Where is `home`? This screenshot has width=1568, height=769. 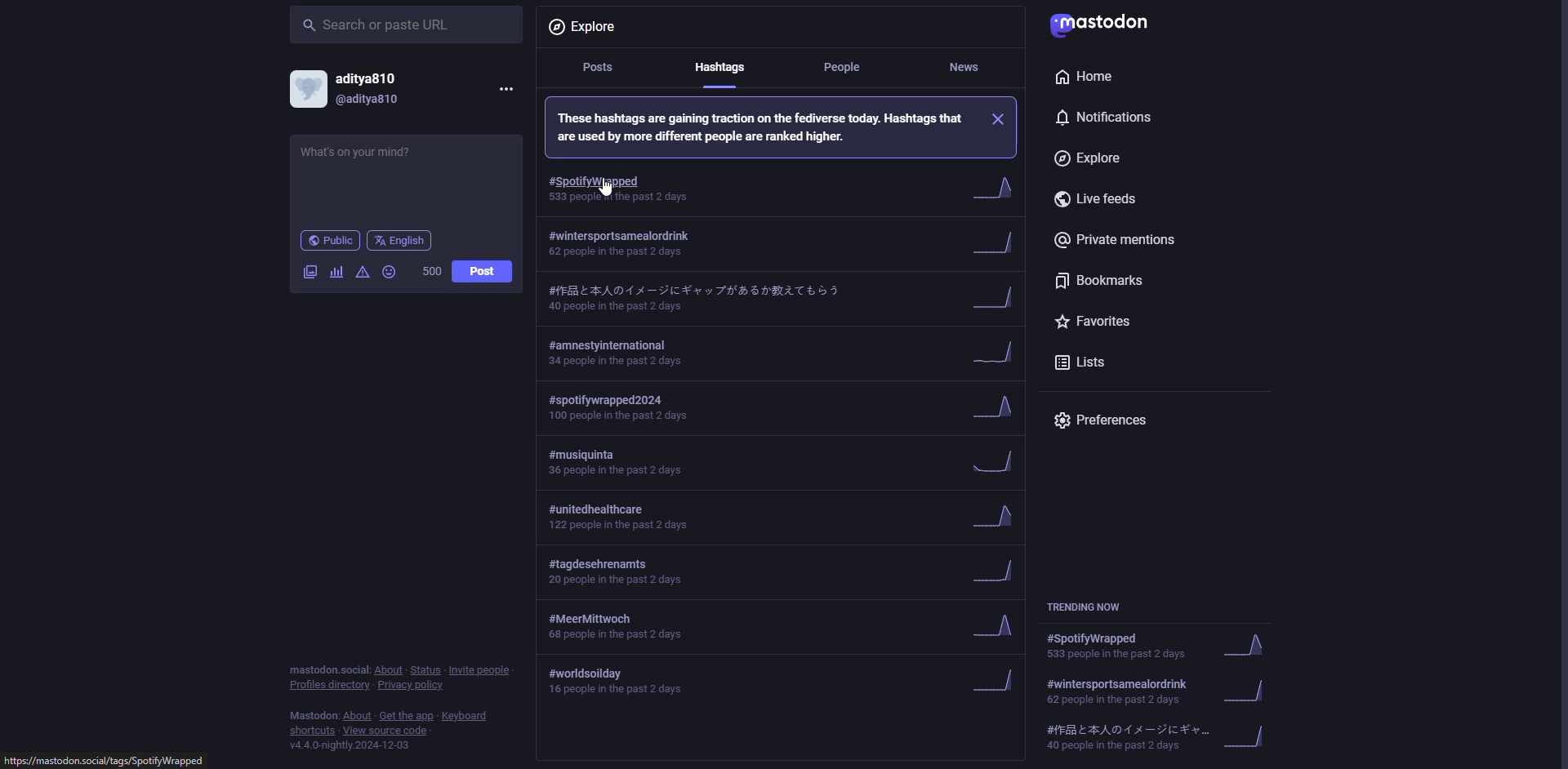
home is located at coordinates (1081, 77).